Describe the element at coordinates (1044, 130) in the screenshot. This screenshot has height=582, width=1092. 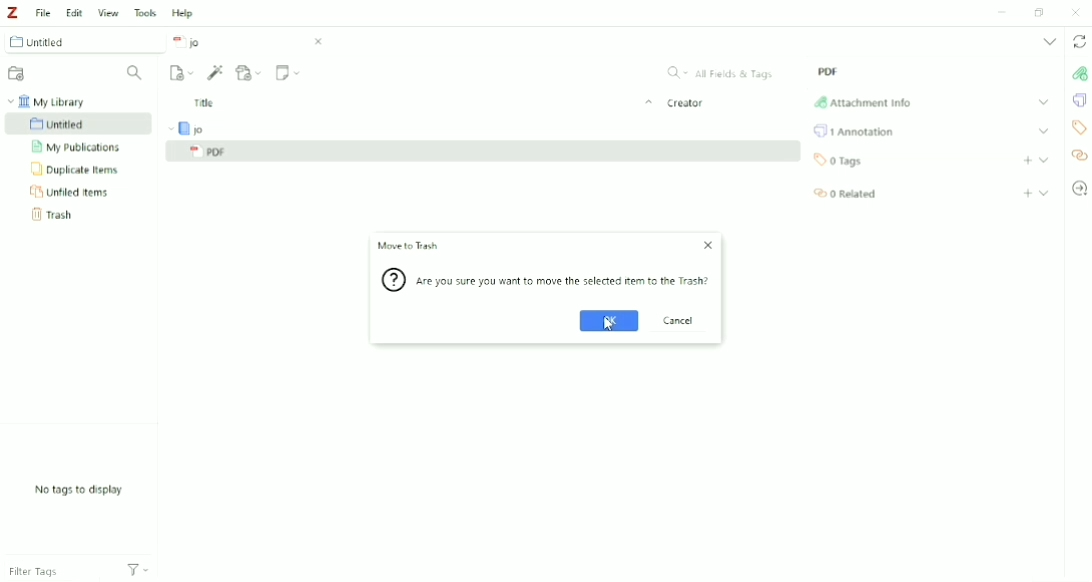
I see `Expand section` at that location.